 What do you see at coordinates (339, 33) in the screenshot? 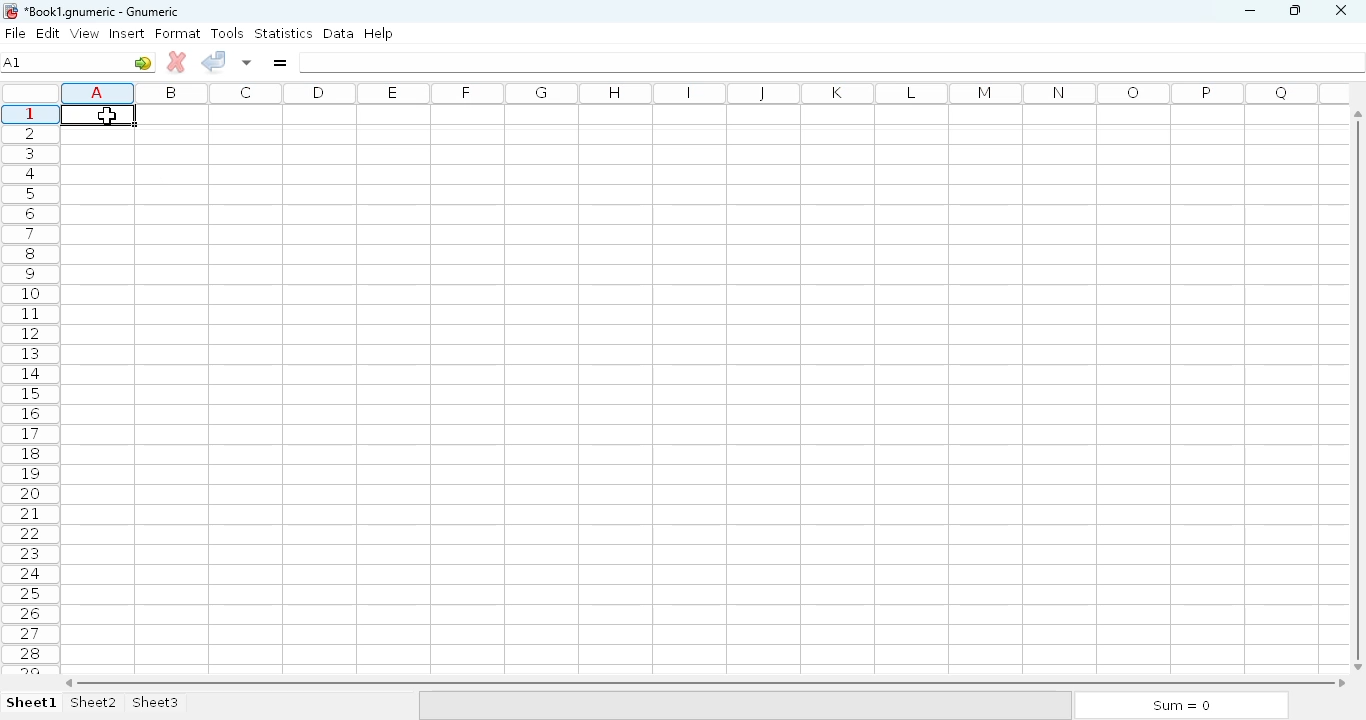
I see `data` at bounding box center [339, 33].